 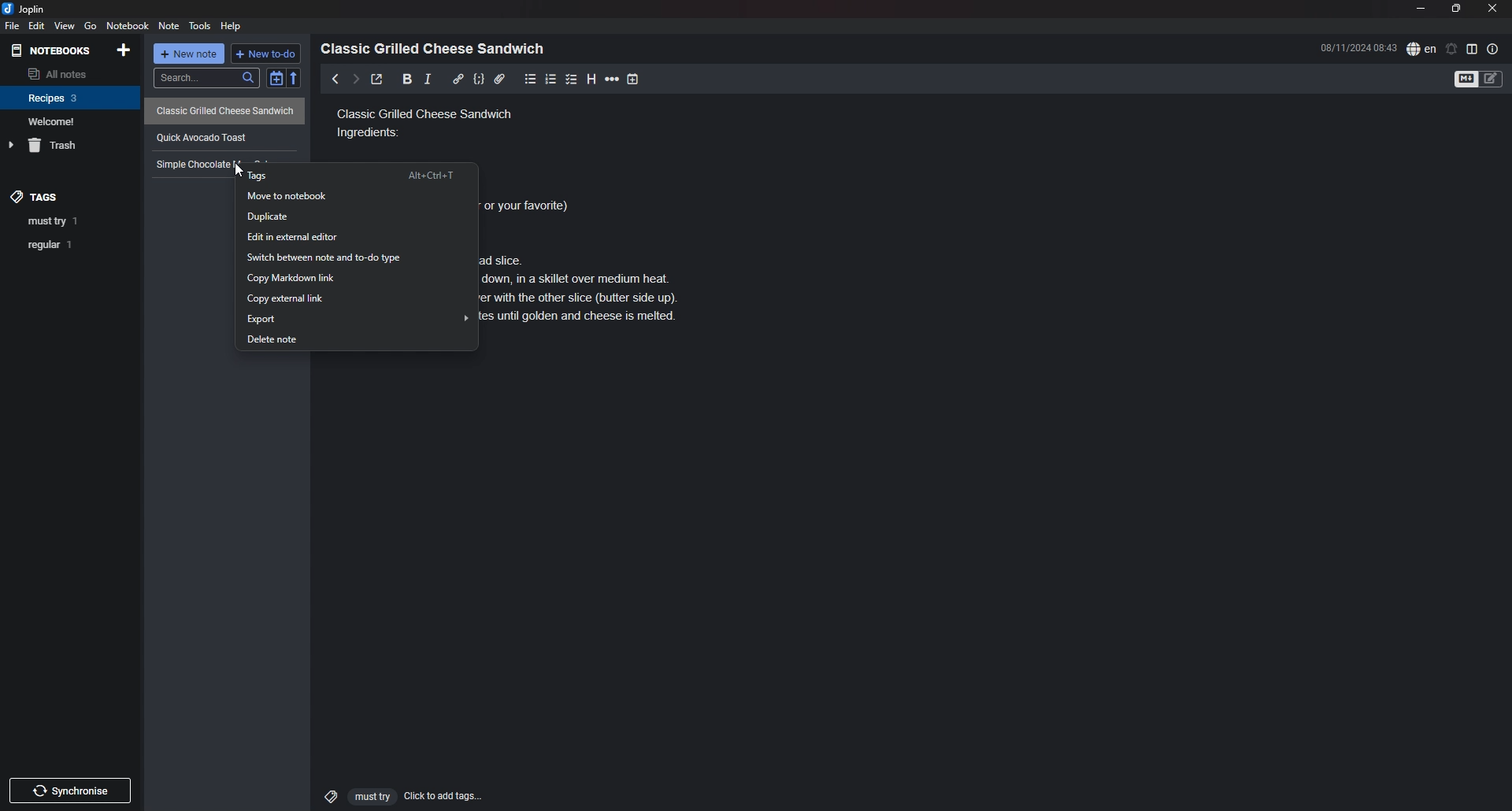 What do you see at coordinates (72, 245) in the screenshot?
I see `tag` at bounding box center [72, 245].